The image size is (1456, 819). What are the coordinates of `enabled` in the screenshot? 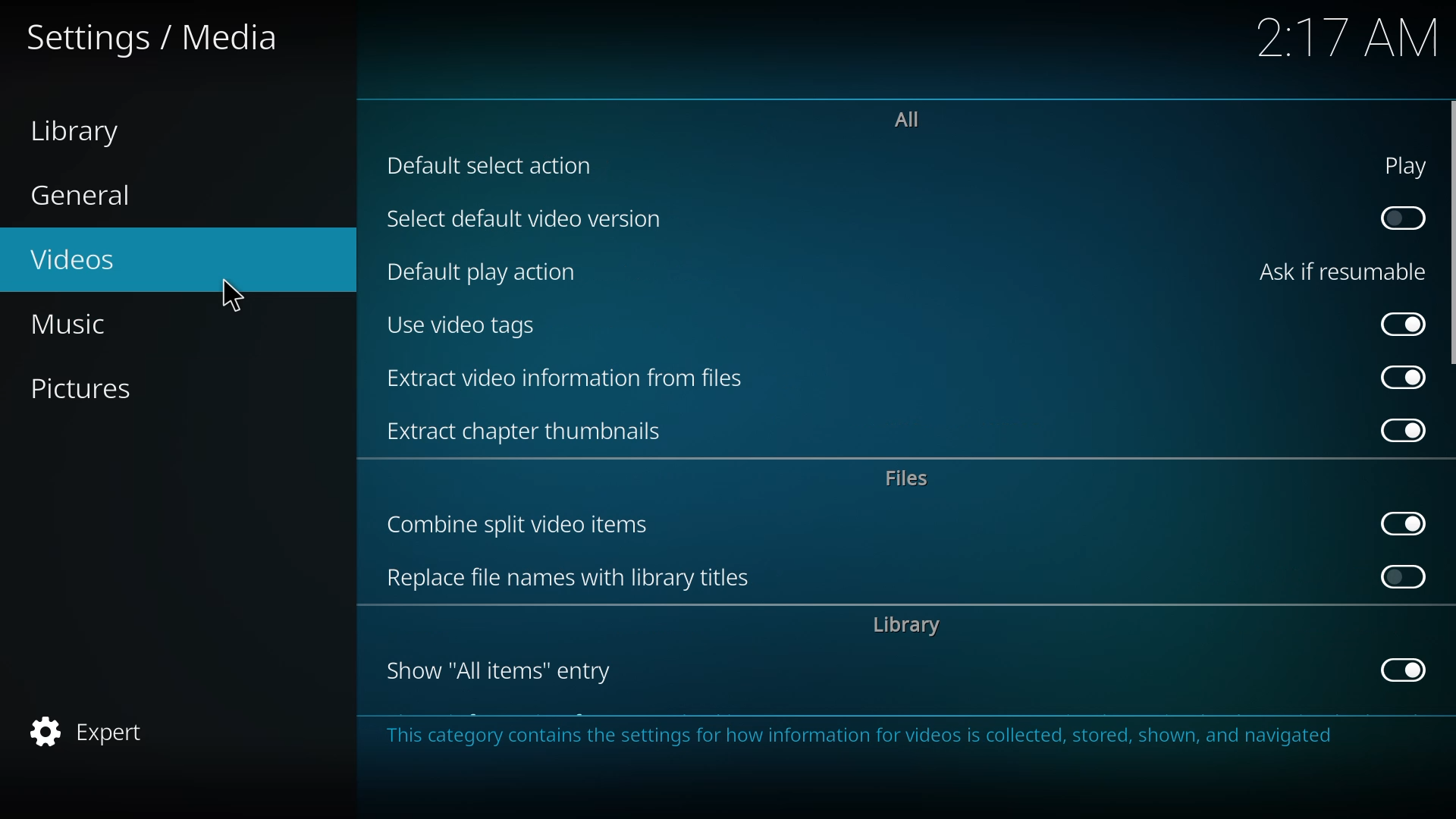 It's located at (1398, 377).